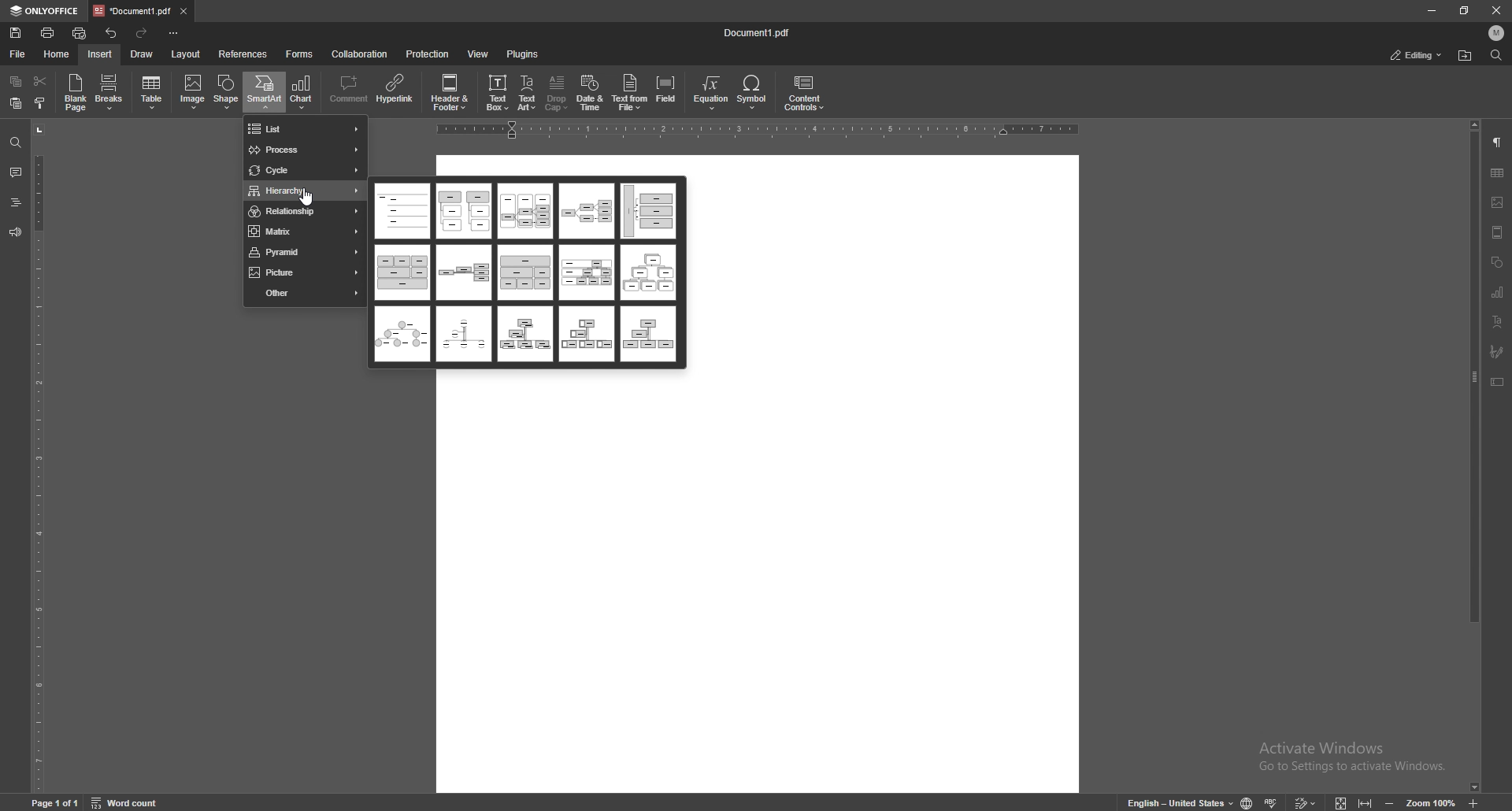 This screenshot has width=1512, height=811. I want to click on forms, so click(300, 54).